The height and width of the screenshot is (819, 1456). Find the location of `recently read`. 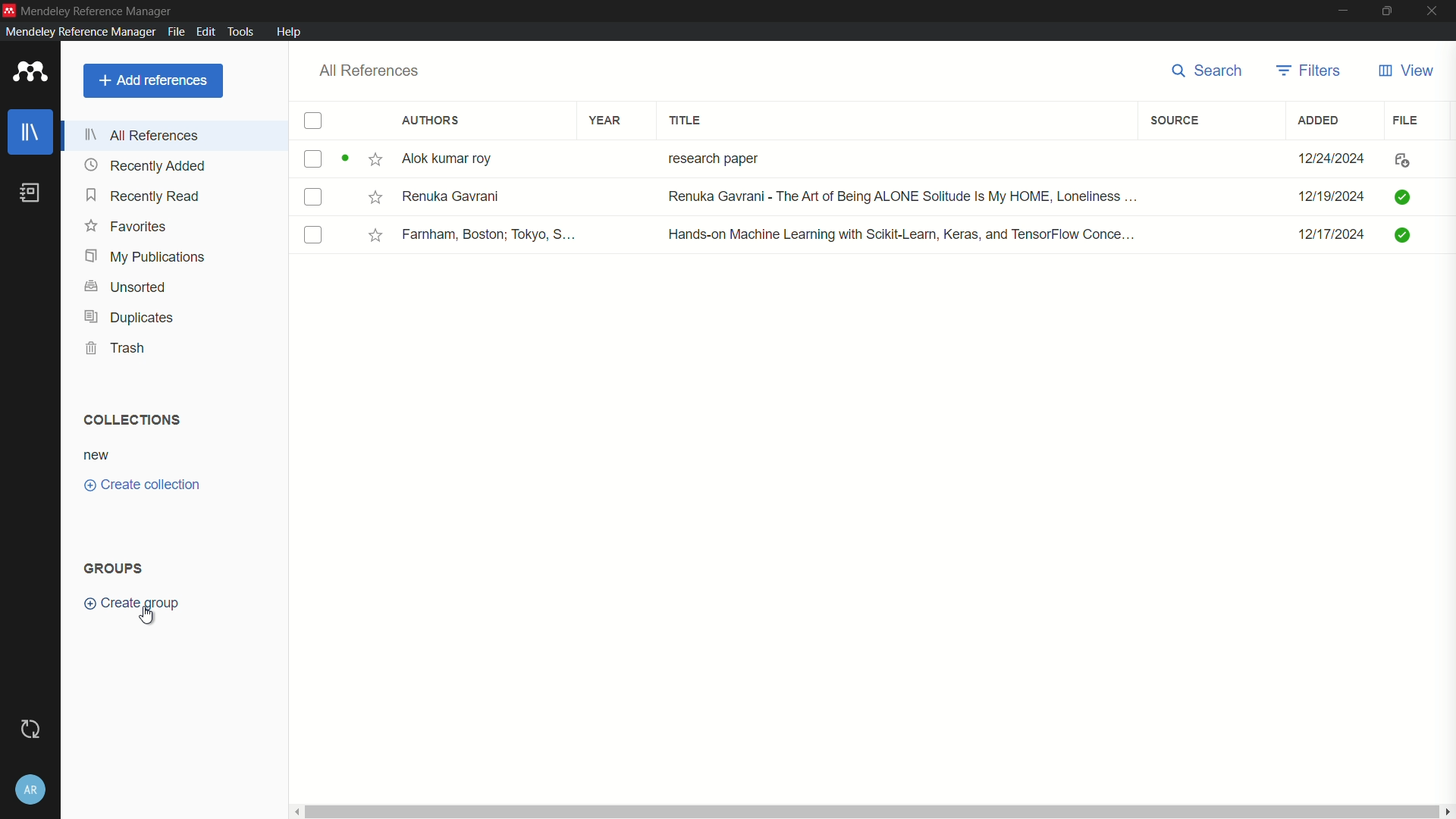

recently read is located at coordinates (144, 197).